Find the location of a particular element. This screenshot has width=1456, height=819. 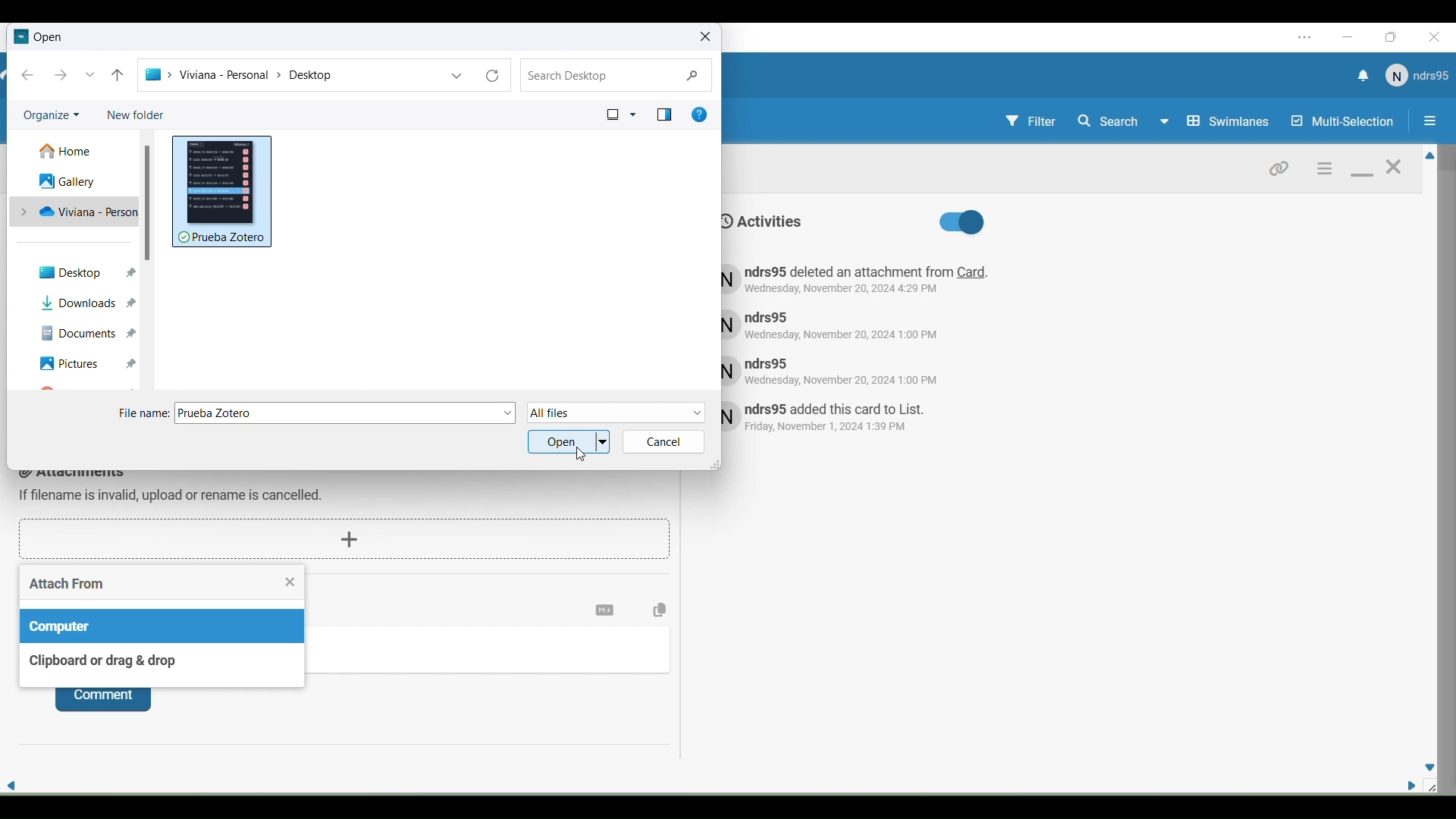

Close is located at coordinates (290, 582).